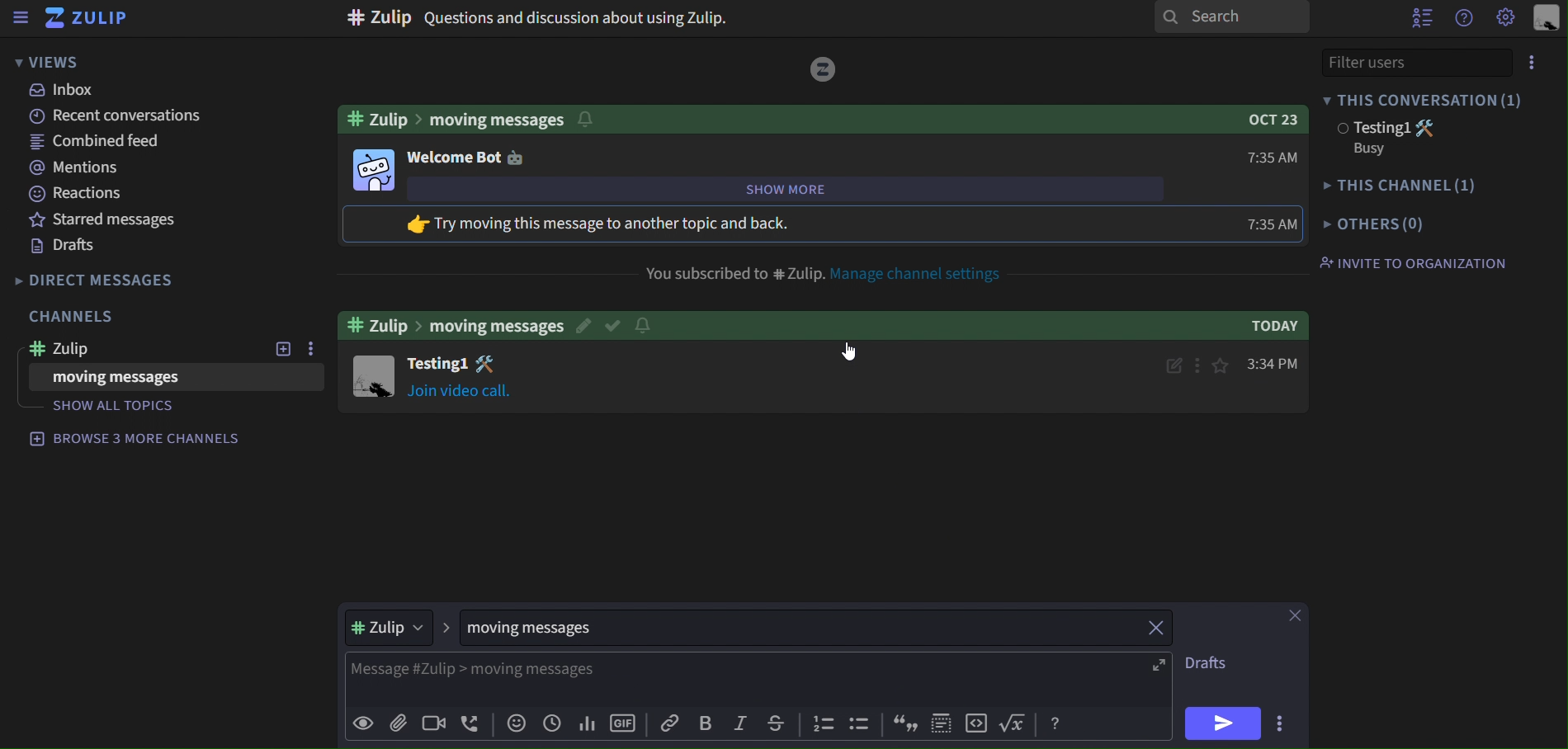 Image resolution: width=1568 pixels, height=749 pixels. Describe the element at coordinates (585, 323) in the screenshot. I see `edit` at that location.